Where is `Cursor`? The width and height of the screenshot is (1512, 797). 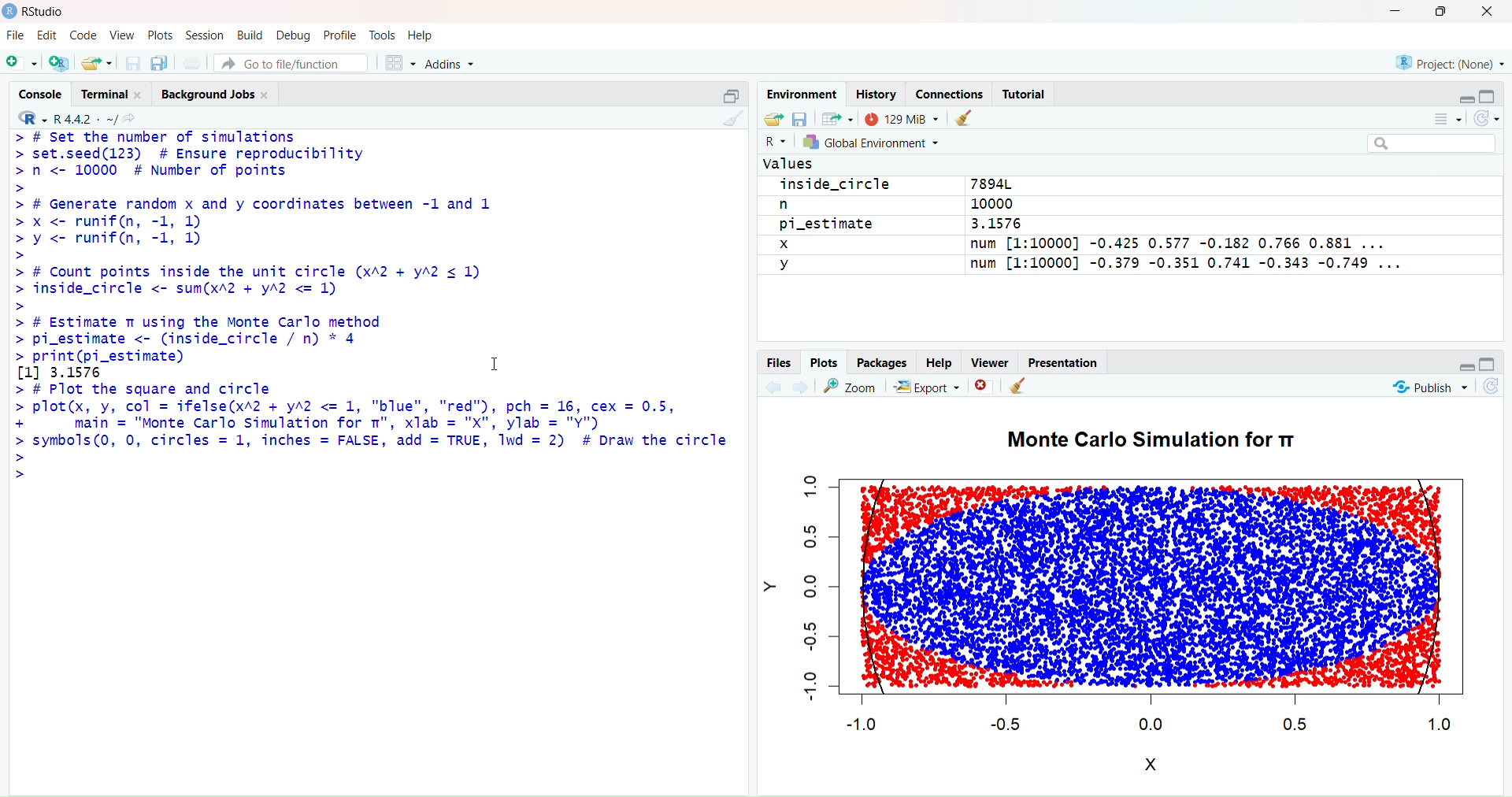 Cursor is located at coordinates (498, 358).